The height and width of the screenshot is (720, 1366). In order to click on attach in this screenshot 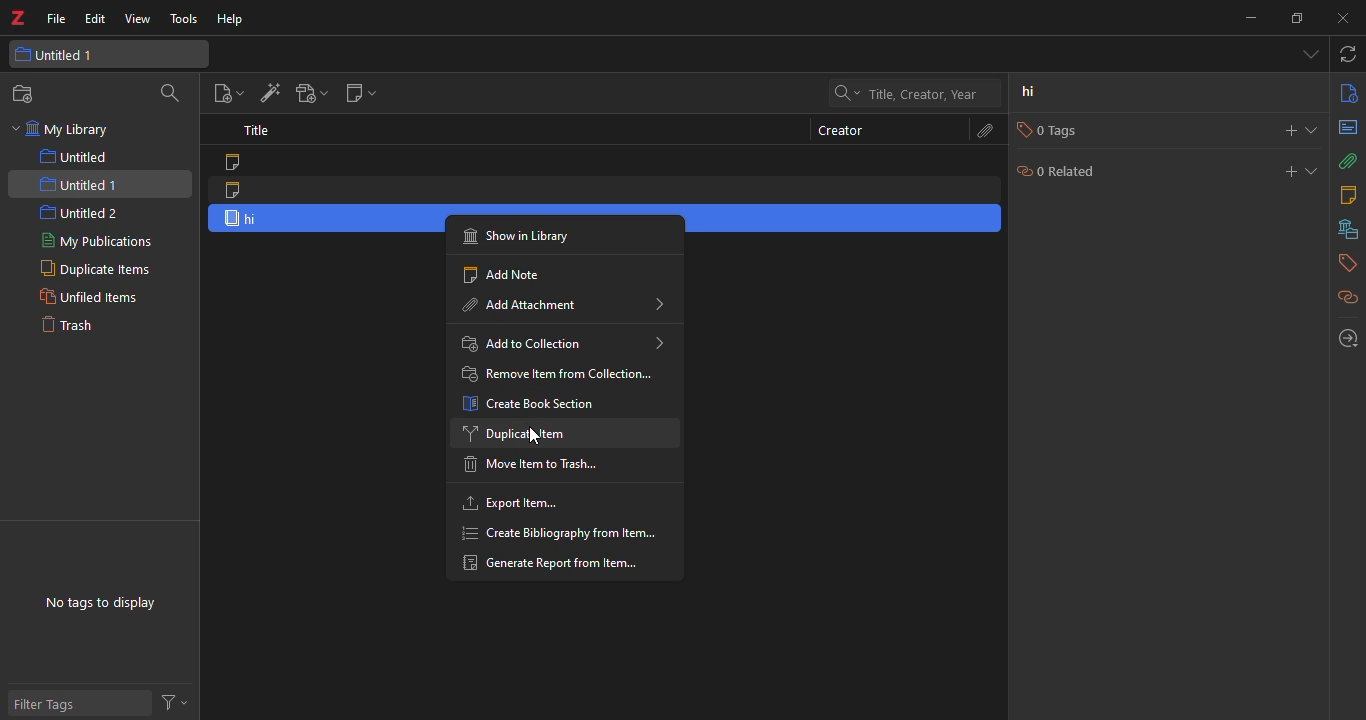, I will do `click(982, 130)`.